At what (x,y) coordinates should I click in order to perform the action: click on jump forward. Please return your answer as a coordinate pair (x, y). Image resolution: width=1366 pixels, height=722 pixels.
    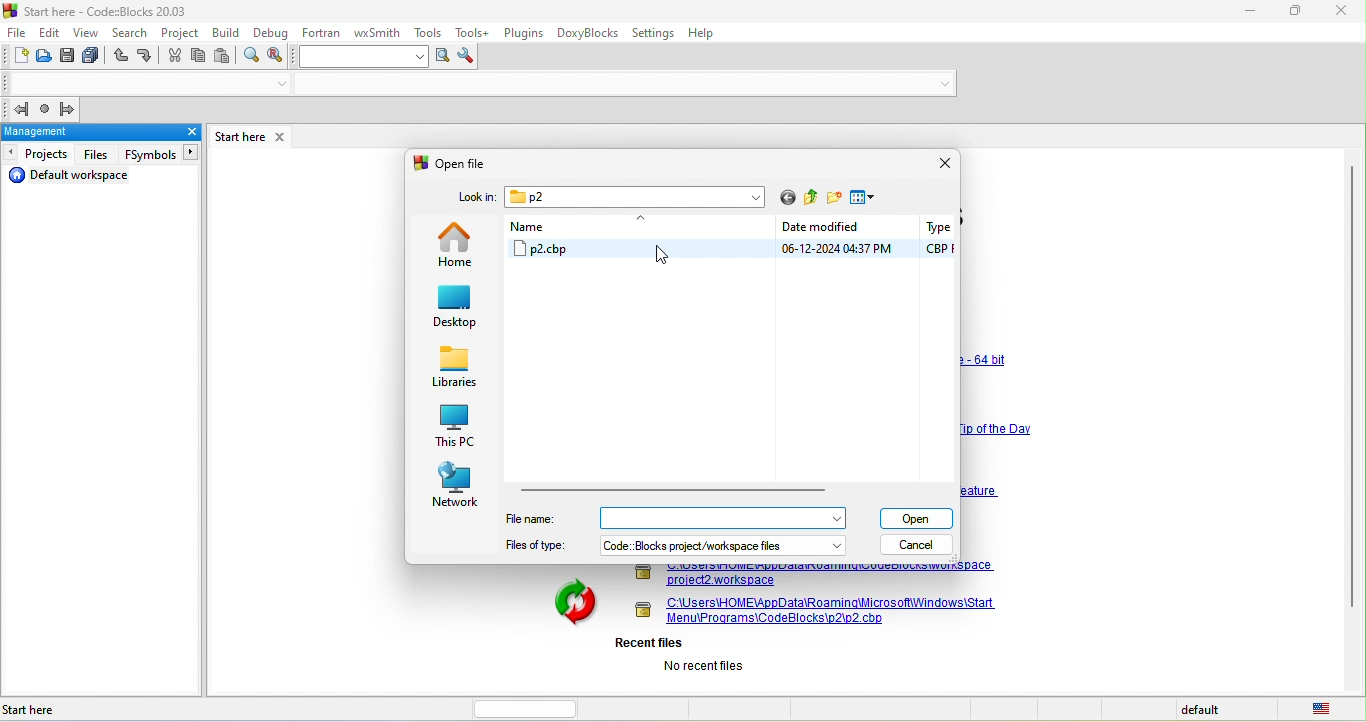
    Looking at the image, I should click on (71, 107).